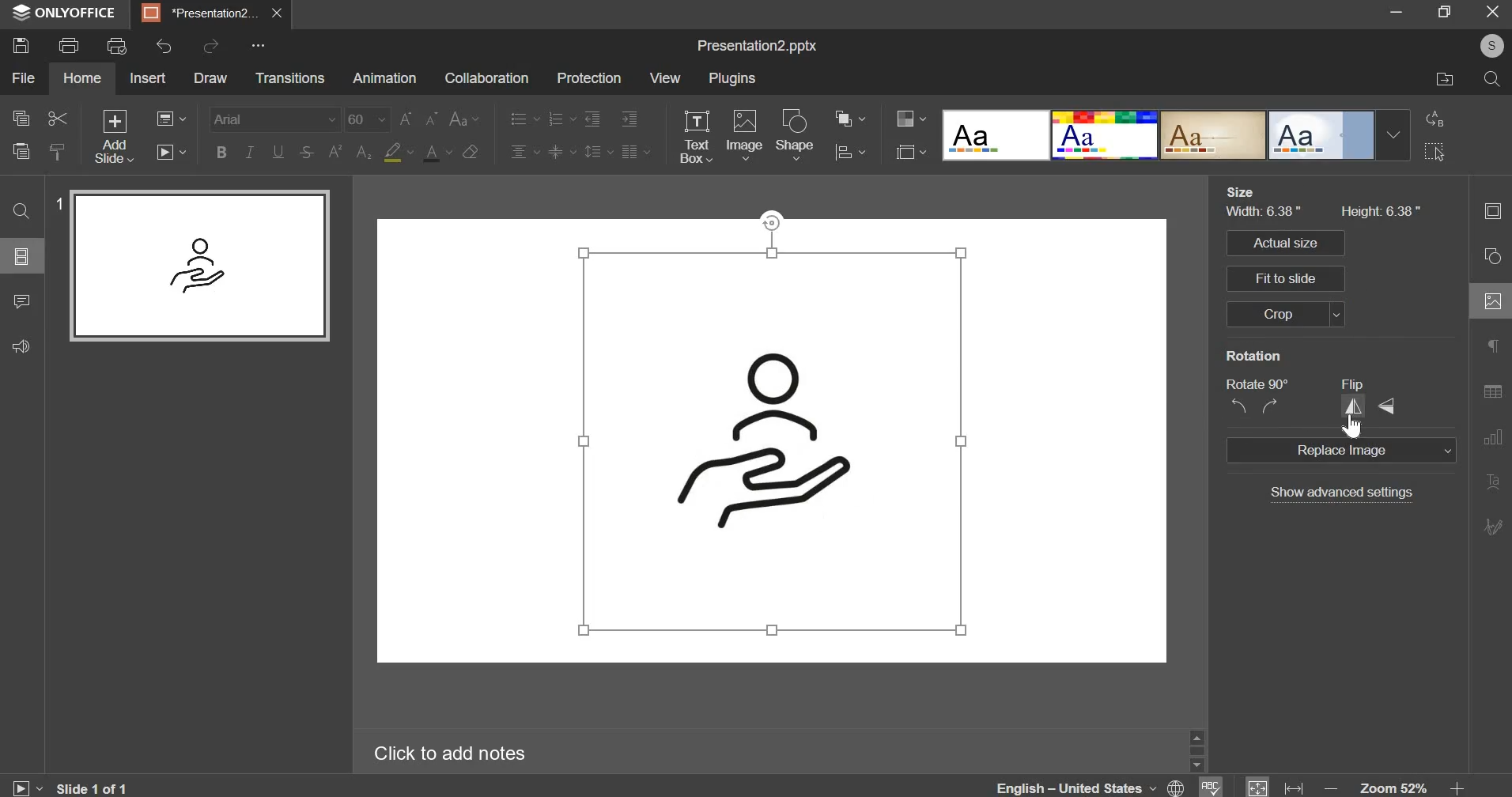 The height and width of the screenshot is (797, 1512). What do you see at coordinates (170, 119) in the screenshot?
I see `change slide layout` at bounding box center [170, 119].